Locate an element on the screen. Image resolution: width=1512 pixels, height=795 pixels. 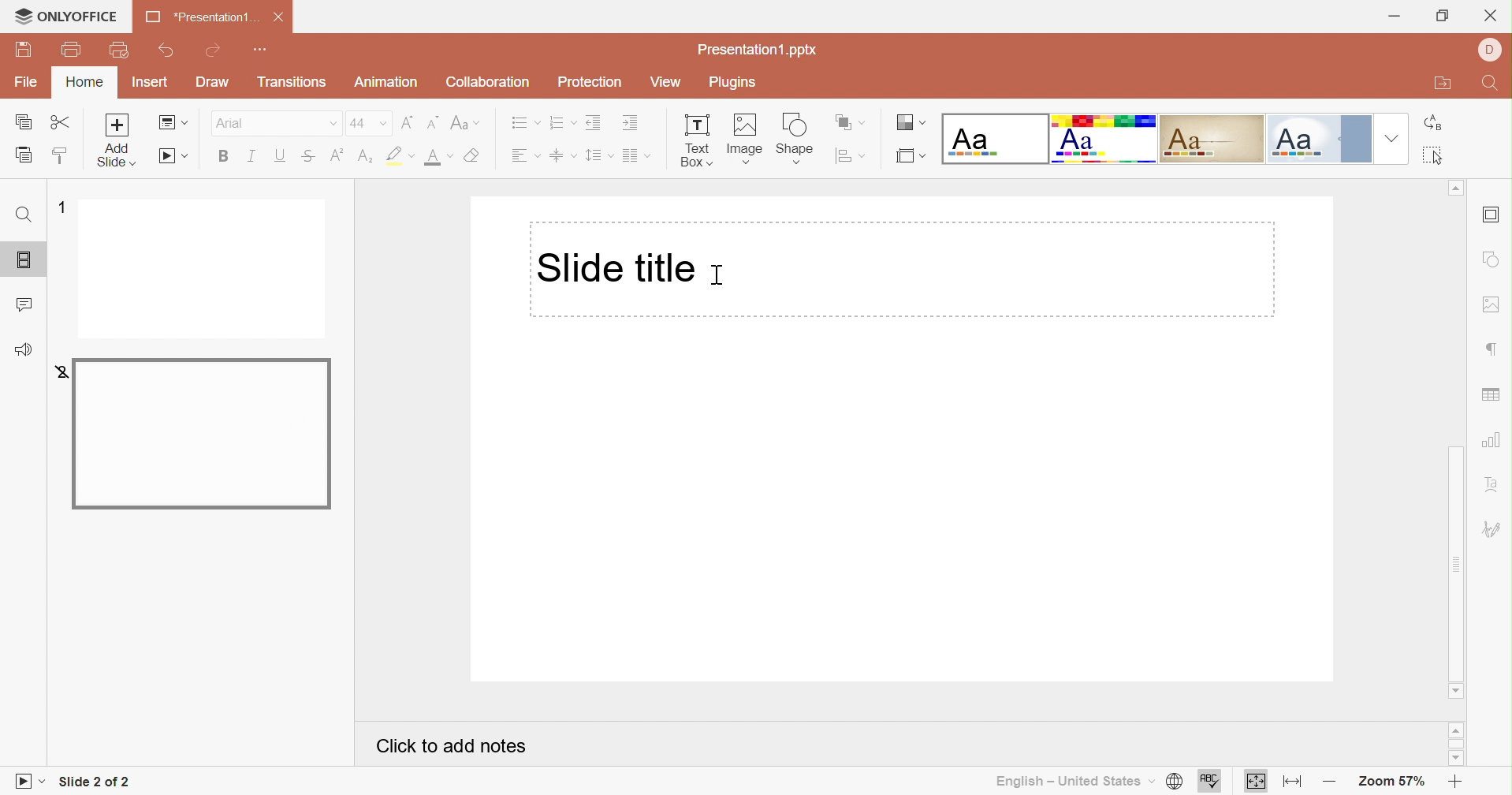
Print file is located at coordinates (73, 50).